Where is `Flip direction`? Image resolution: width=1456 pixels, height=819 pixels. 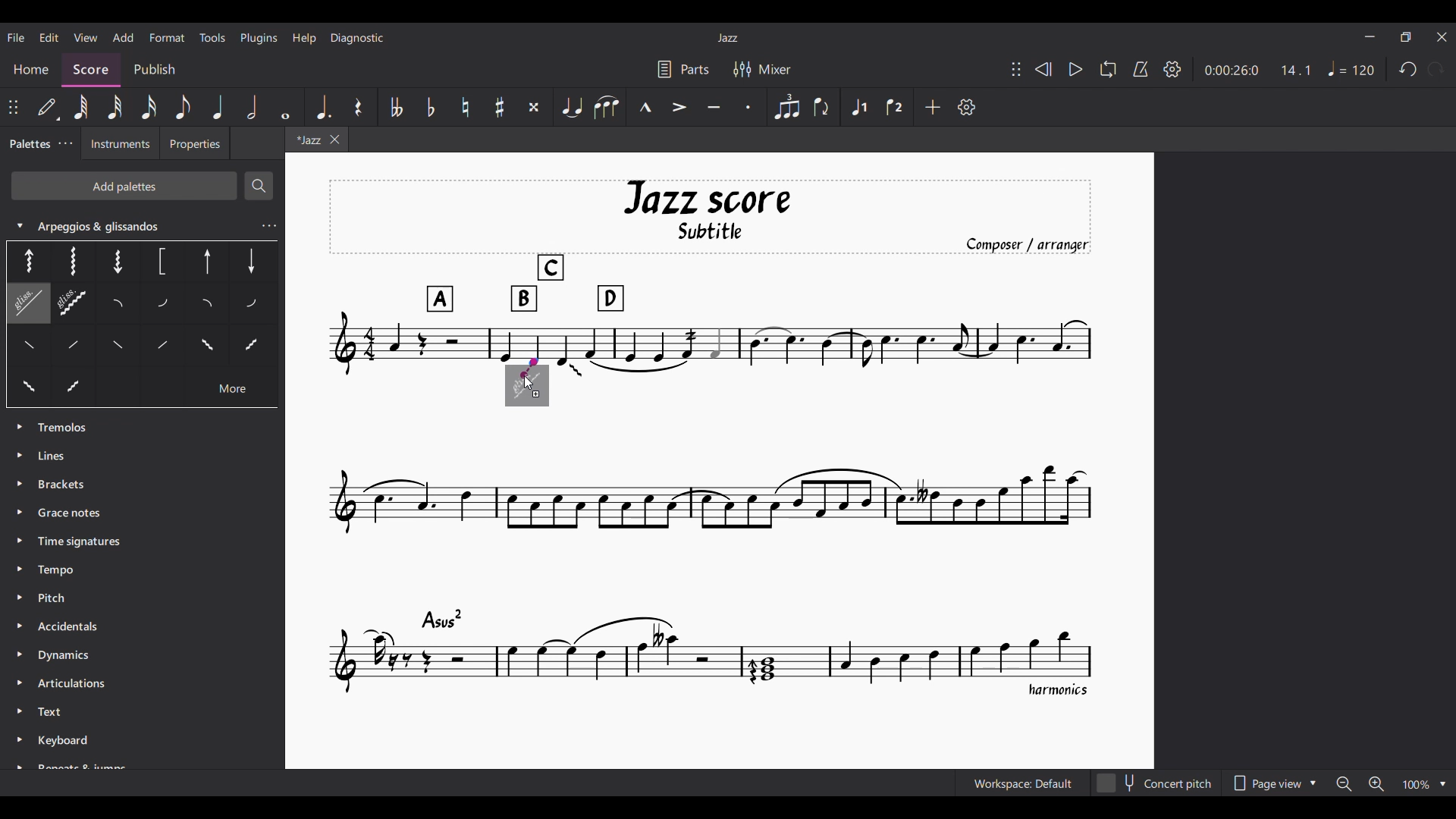
Flip direction is located at coordinates (823, 107).